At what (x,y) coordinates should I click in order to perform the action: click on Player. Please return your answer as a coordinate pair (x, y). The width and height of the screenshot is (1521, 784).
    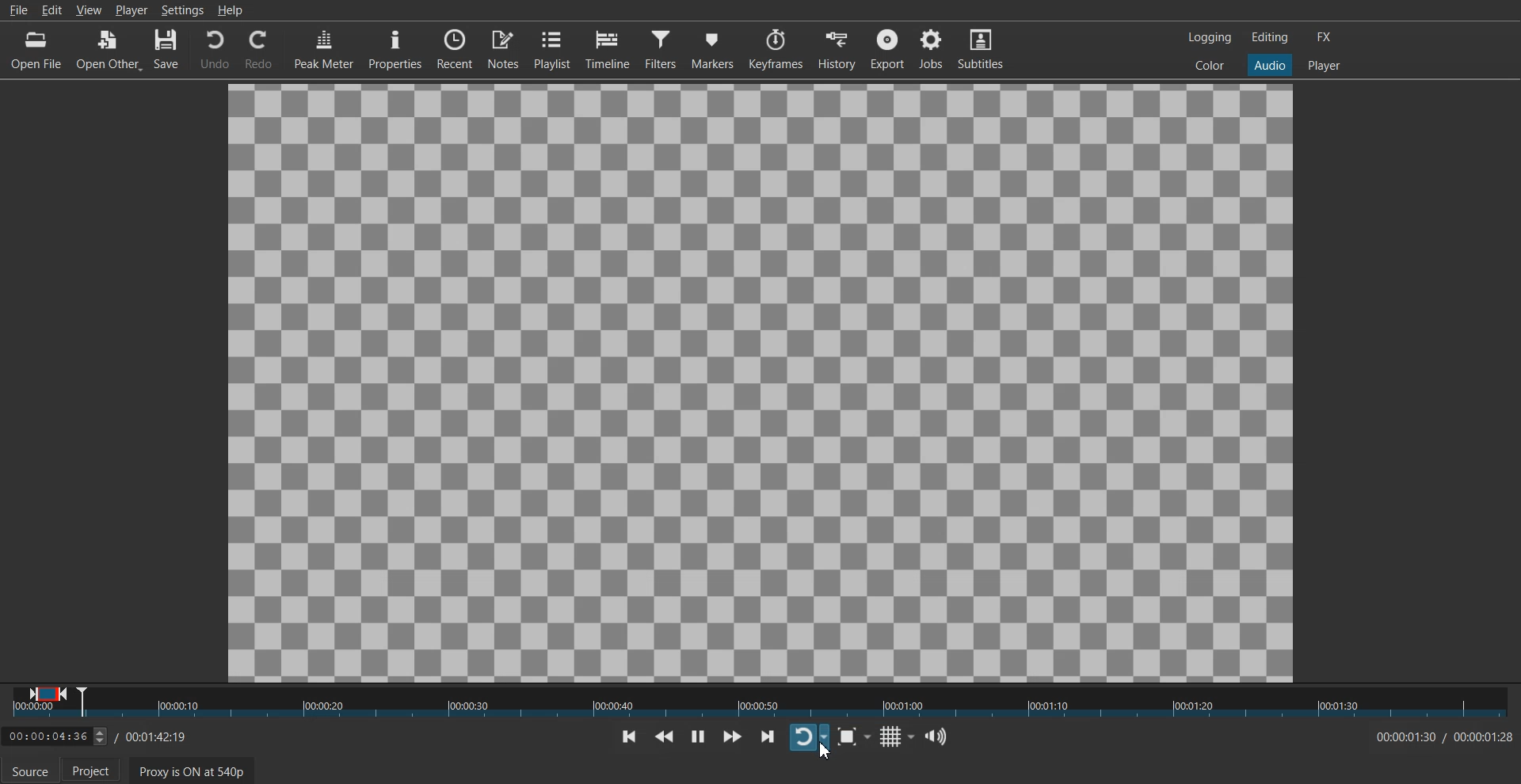
    Looking at the image, I should click on (1324, 64).